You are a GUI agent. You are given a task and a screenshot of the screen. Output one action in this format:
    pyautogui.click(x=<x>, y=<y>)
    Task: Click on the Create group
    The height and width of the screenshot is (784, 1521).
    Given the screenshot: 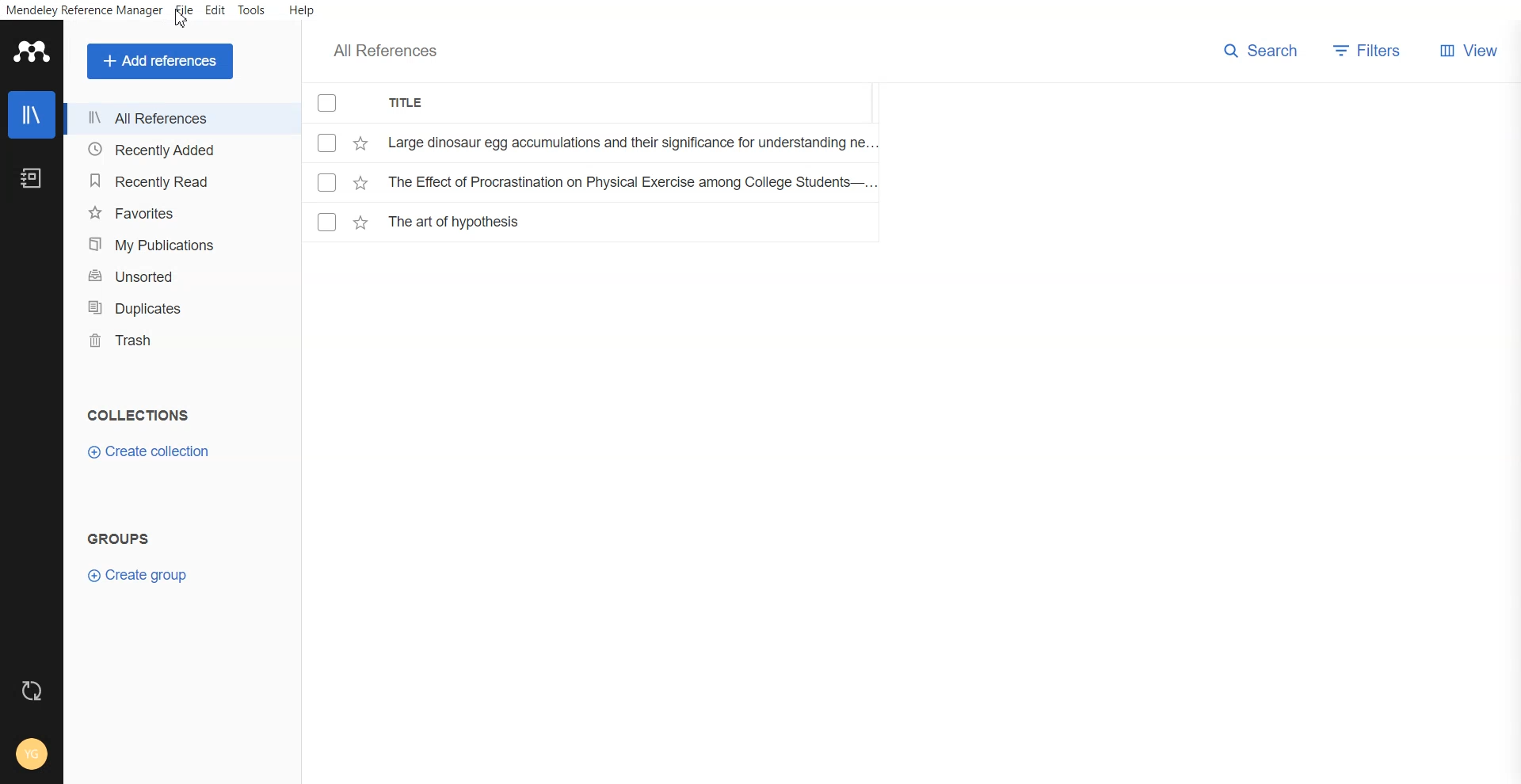 What is the action you would take?
    pyautogui.click(x=140, y=575)
    